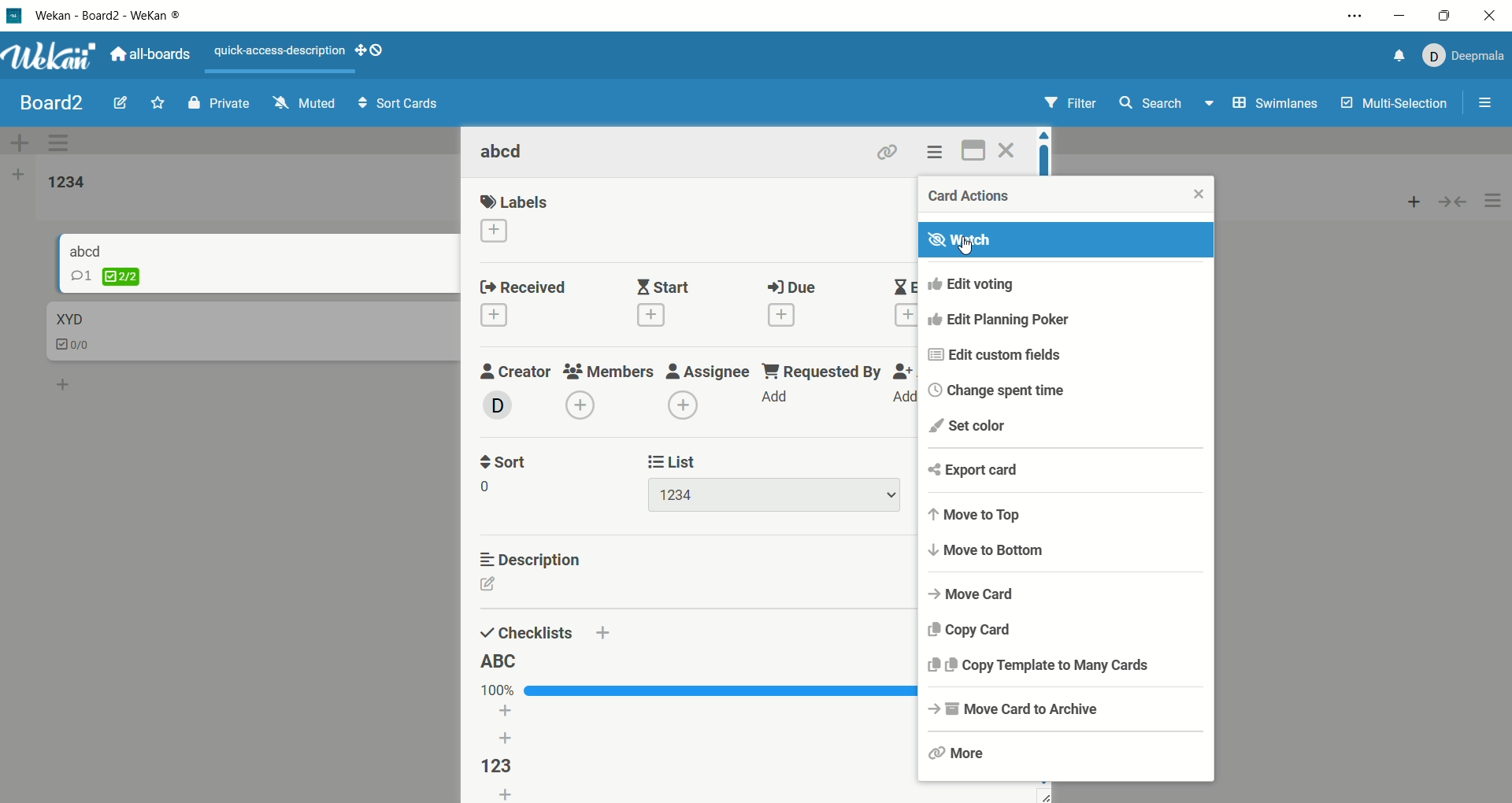 The width and height of the screenshot is (1512, 803). Describe the element at coordinates (1070, 289) in the screenshot. I see `edit voting` at that location.